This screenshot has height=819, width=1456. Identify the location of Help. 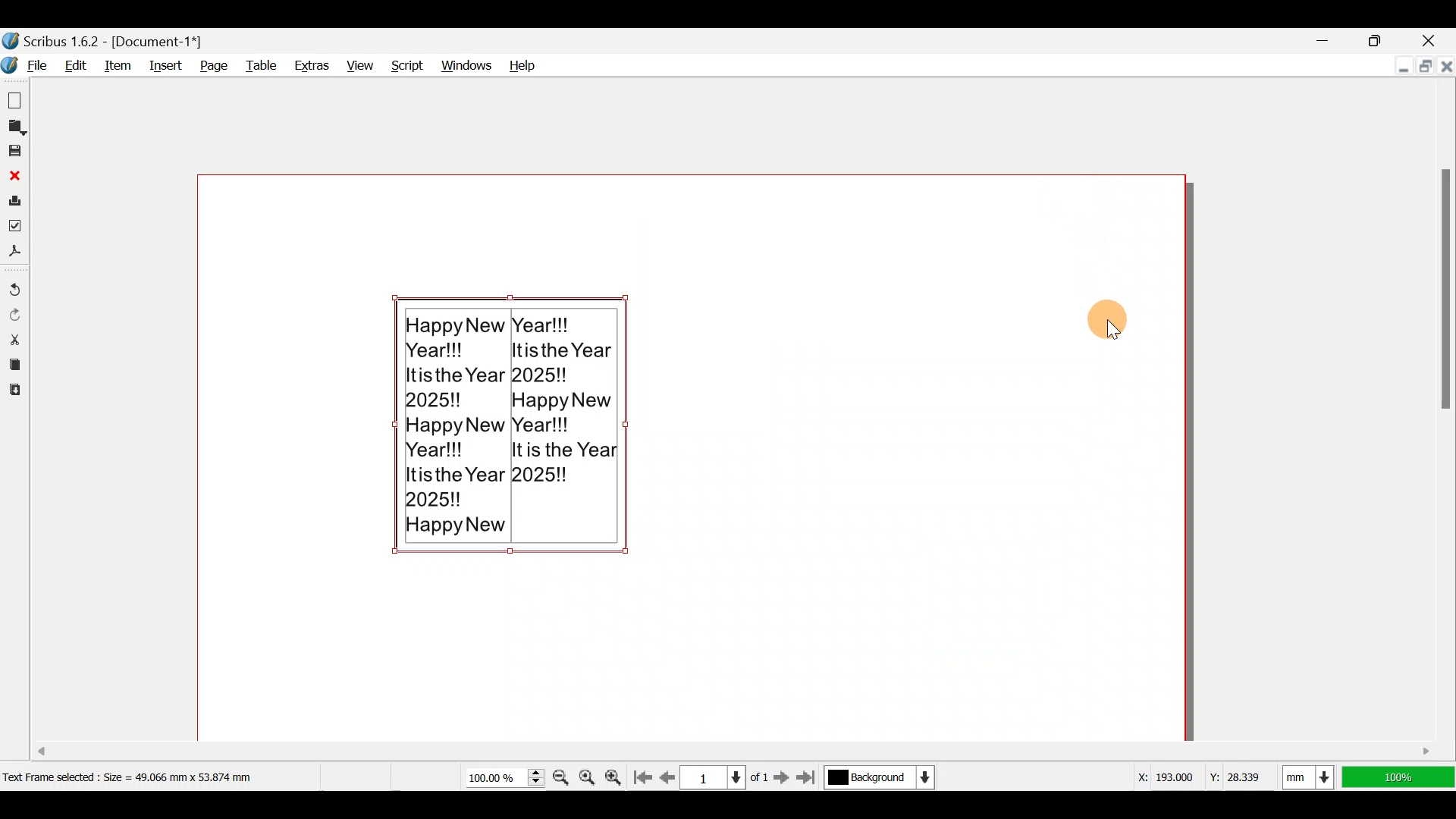
(522, 62).